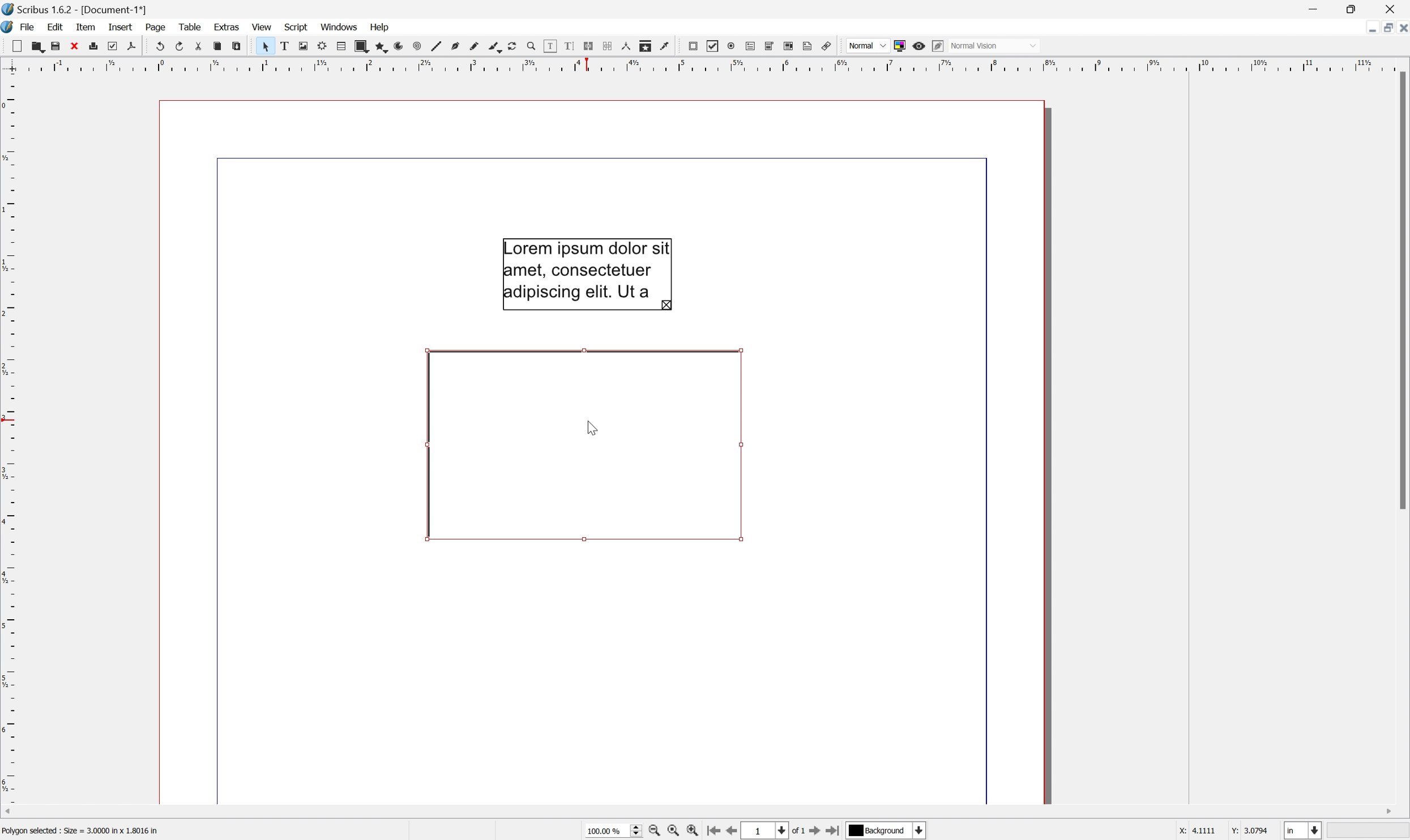 The image size is (1410, 840). What do you see at coordinates (516, 46) in the screenshot?
I see `Rotate item` at bounding box center [516, 46].